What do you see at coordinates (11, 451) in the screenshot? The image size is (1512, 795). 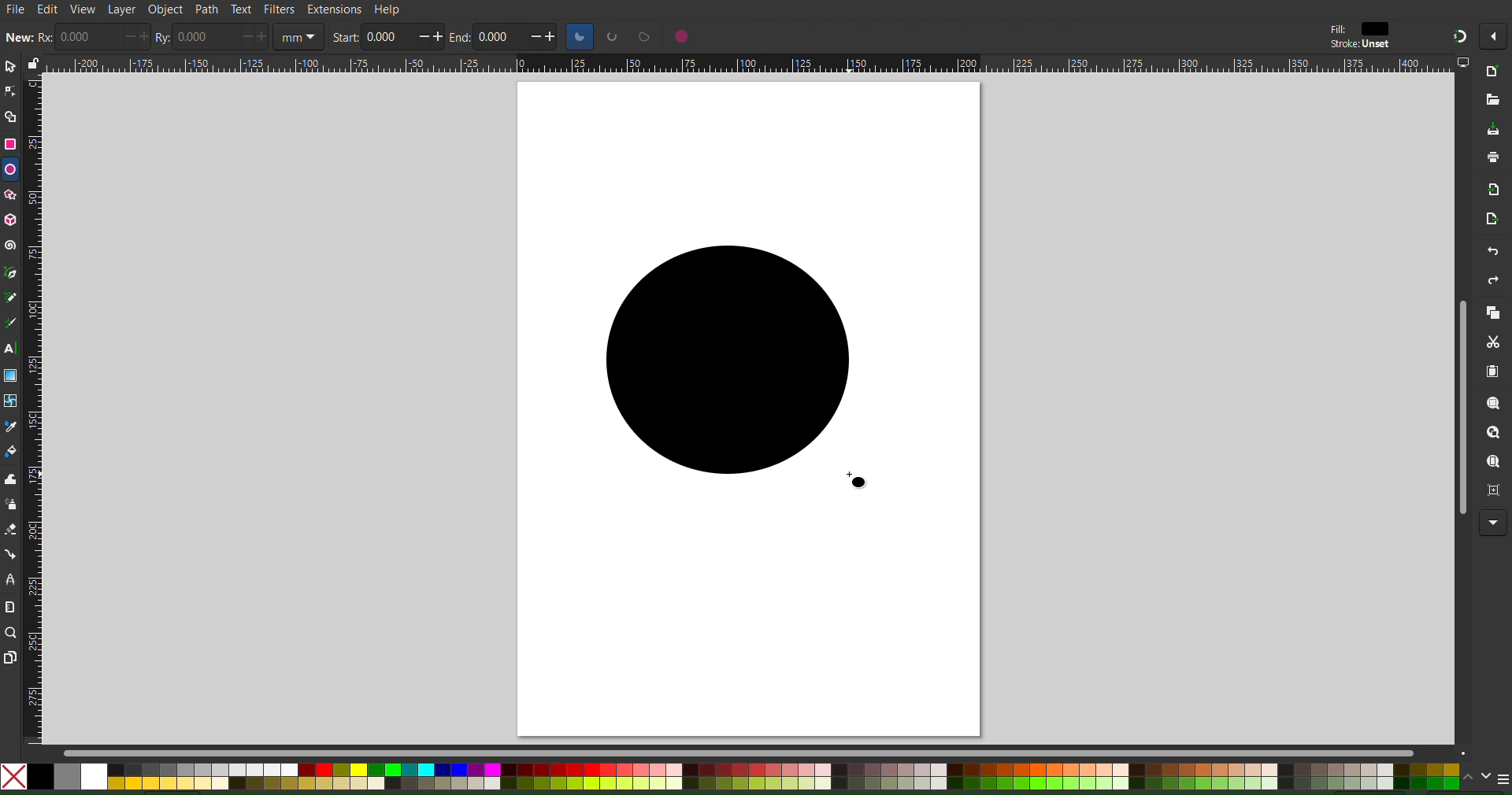 I see `Color Fill` at bounding box center [11, 451].